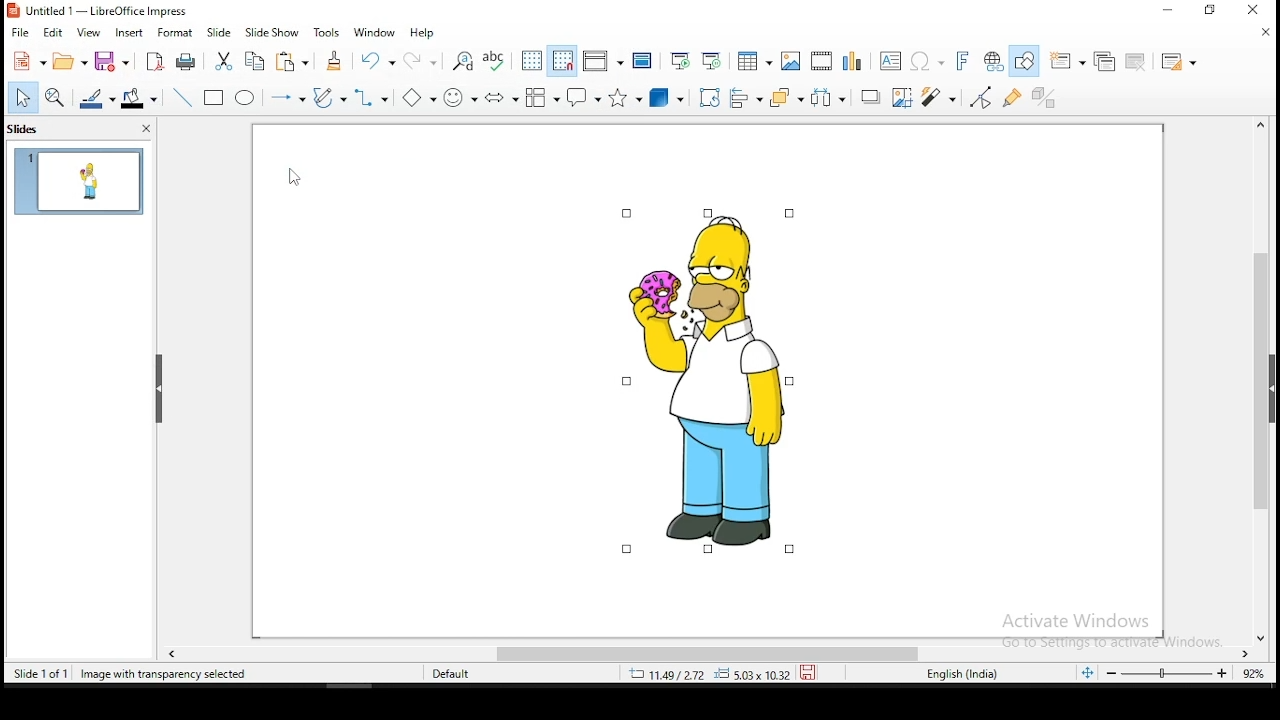 The height and width of the screenshot is (720, 1280). What do you see at coordinates (142, 98) in the screenshot?
I see `fill color` at bounding box center [142, 98].